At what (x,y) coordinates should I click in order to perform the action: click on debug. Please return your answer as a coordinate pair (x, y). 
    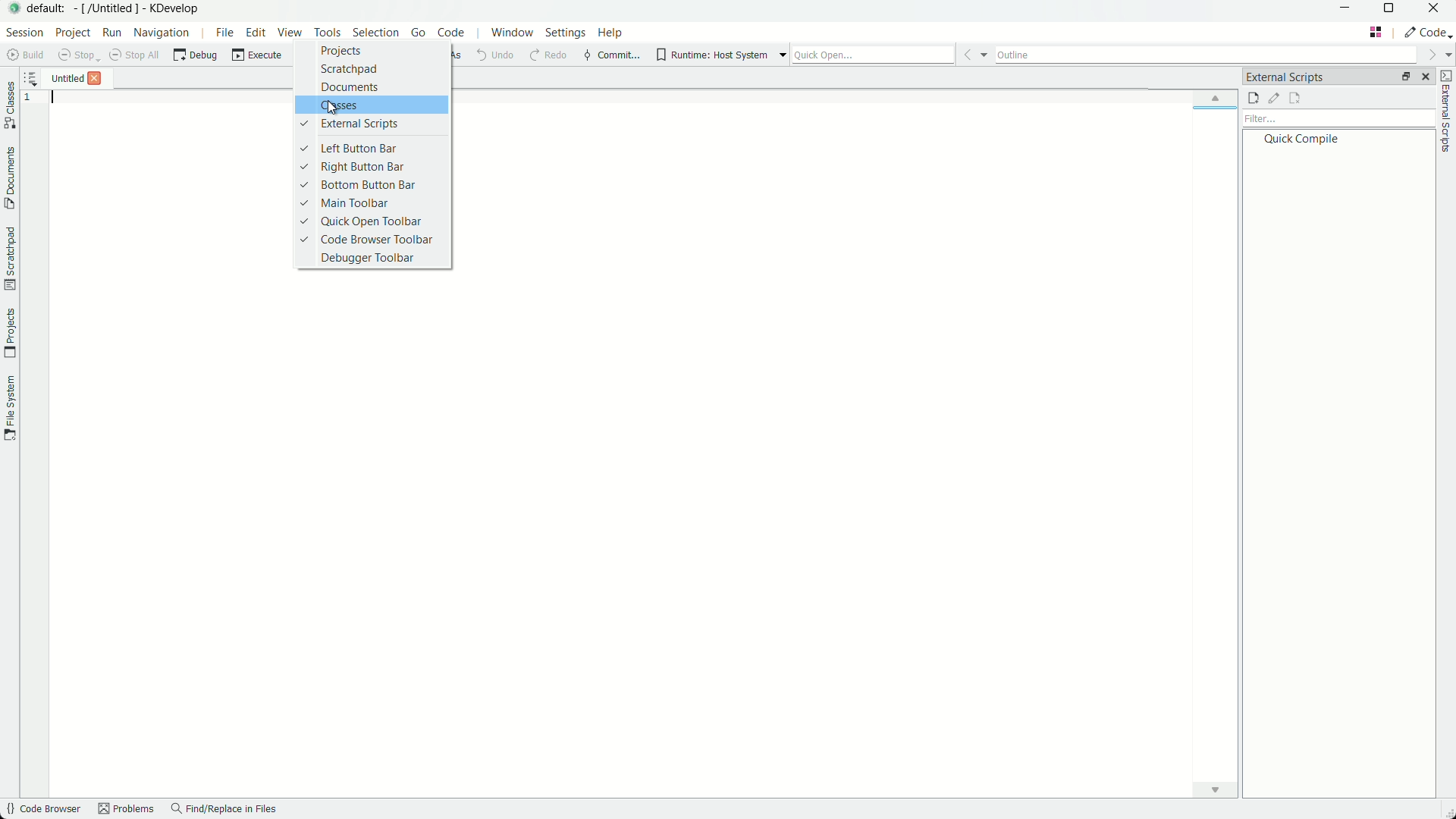
    Looking at the image, I should click on (193, 58).